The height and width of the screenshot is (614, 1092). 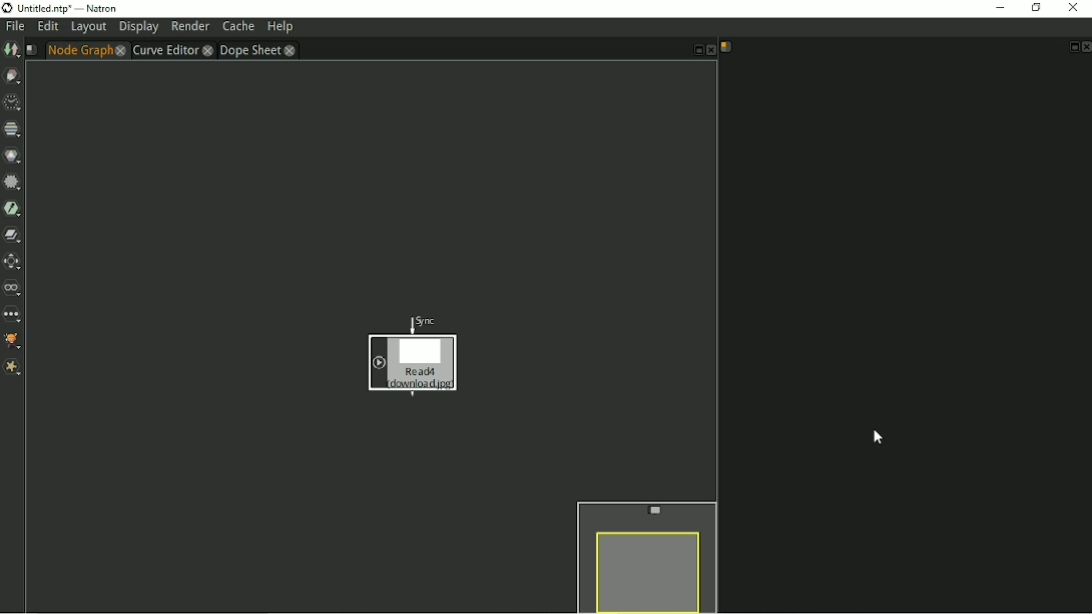 What do you see at coordinates (61, 8) in the screenshot?
I see `Title` at bounding box center [61, 8].